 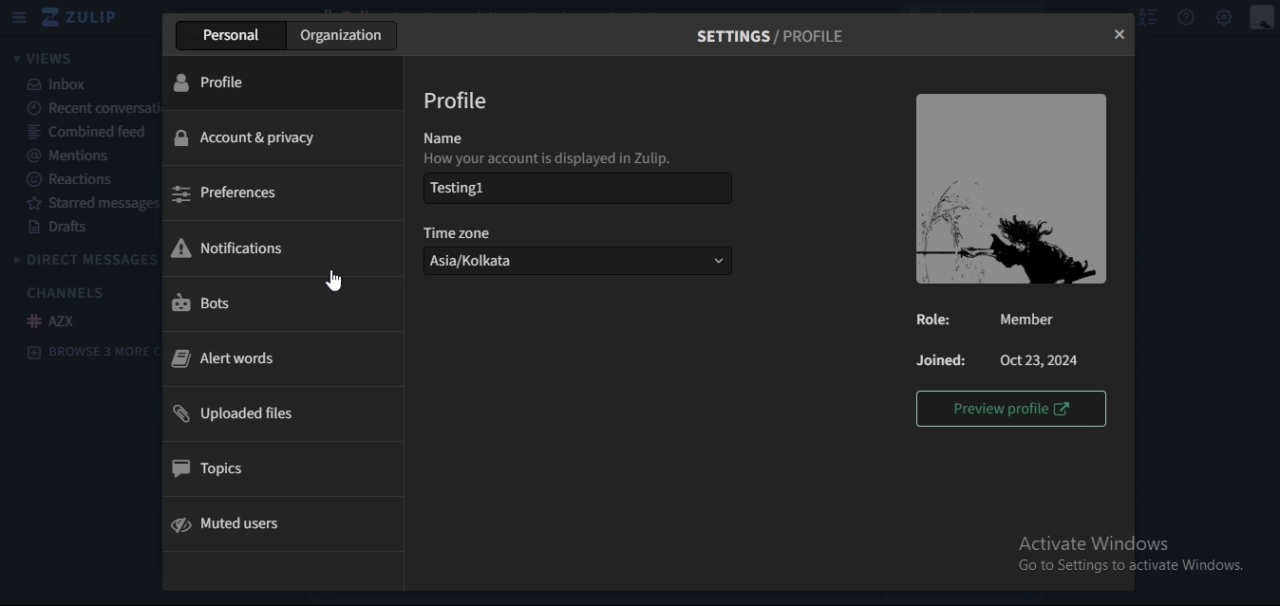 I want to click on close, so click(x=1120, y=33).